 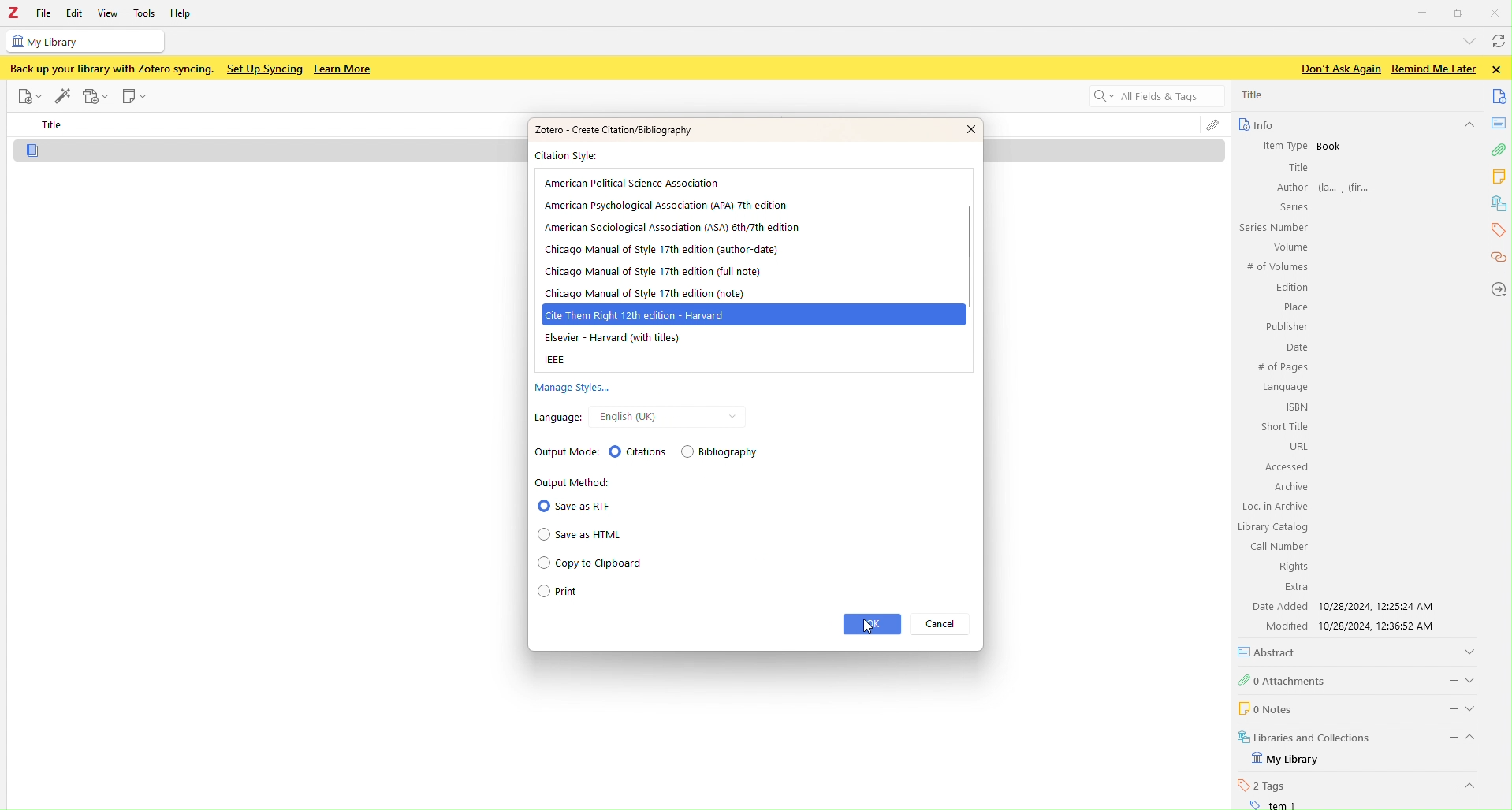 I want to click on record, so click(x=96, y=96).